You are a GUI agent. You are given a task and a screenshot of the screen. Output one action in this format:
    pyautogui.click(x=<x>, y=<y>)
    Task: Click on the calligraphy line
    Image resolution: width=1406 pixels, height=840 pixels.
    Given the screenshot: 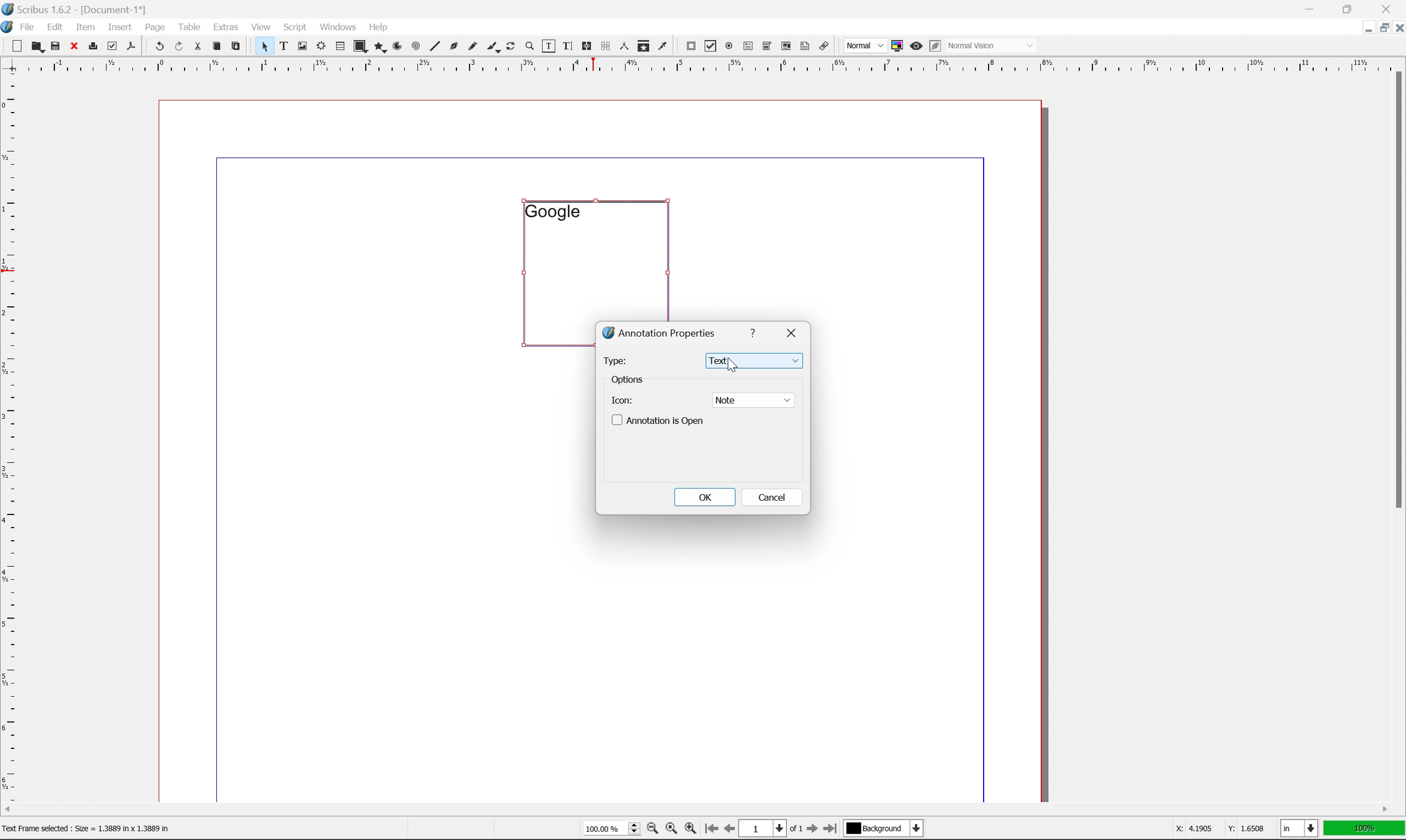 What is the action you would take?
    pyautogui.click(x=493, y=45)
    